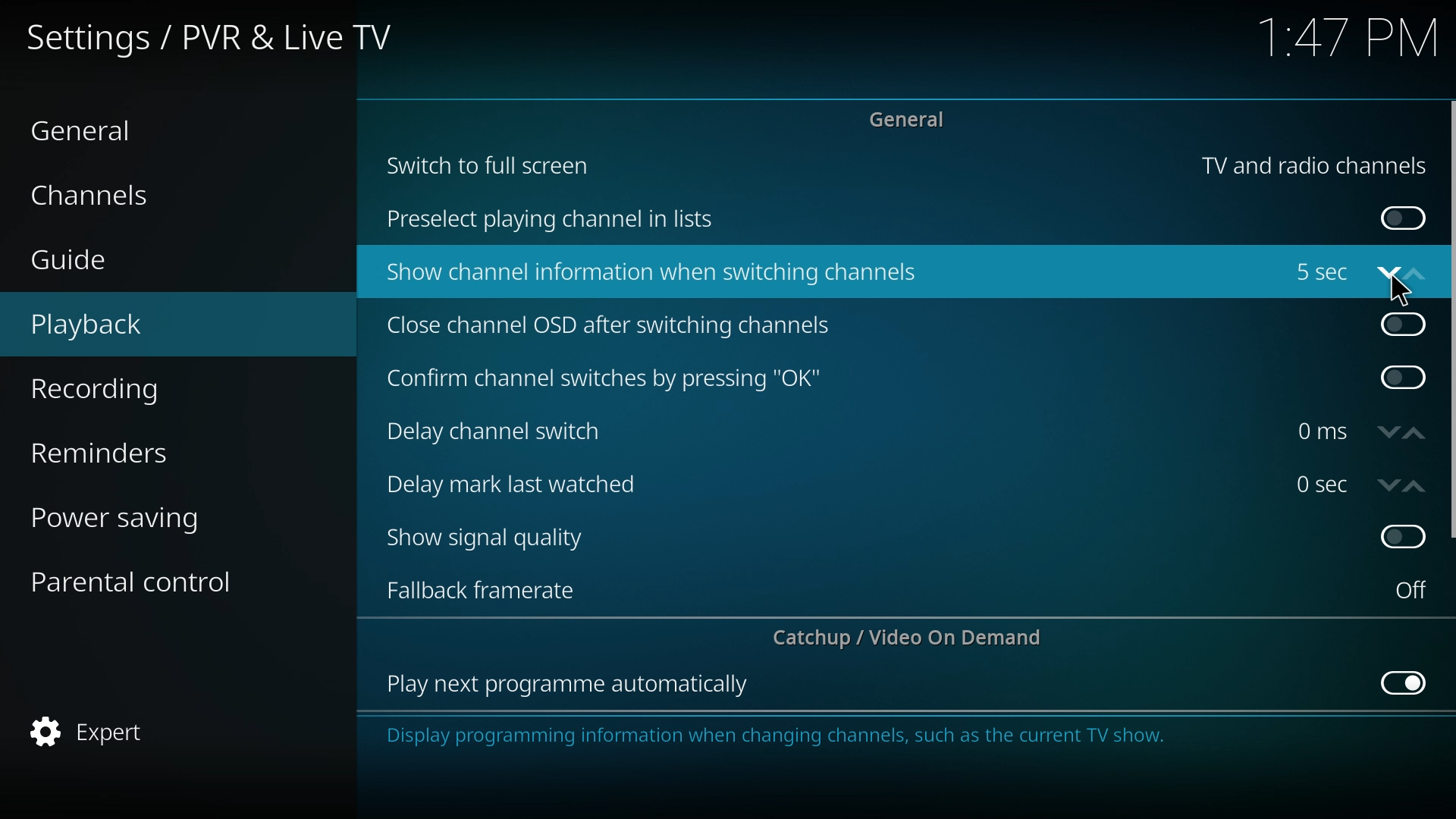  Describe the element at coordinates (1415, 487) in the screenshot. I see `increase time` at that location.